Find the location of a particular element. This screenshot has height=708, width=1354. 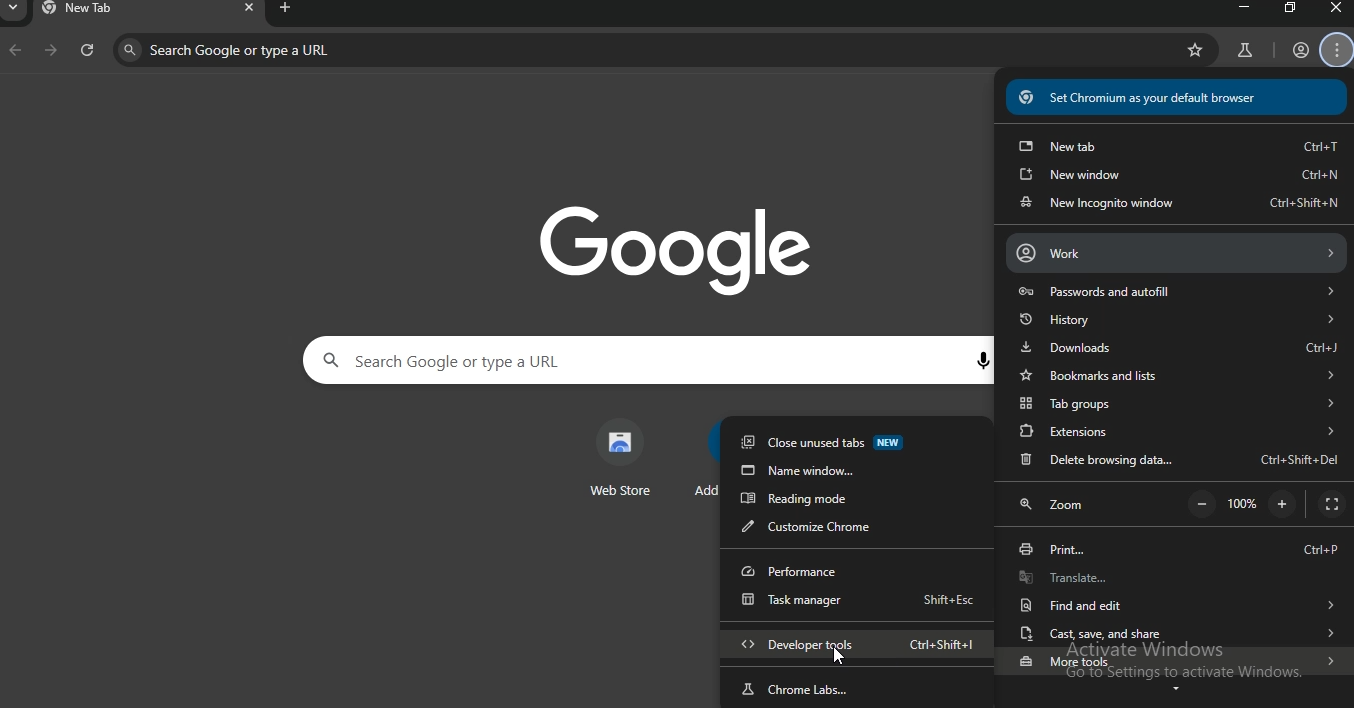

print is located at coordinates (1174, 549).